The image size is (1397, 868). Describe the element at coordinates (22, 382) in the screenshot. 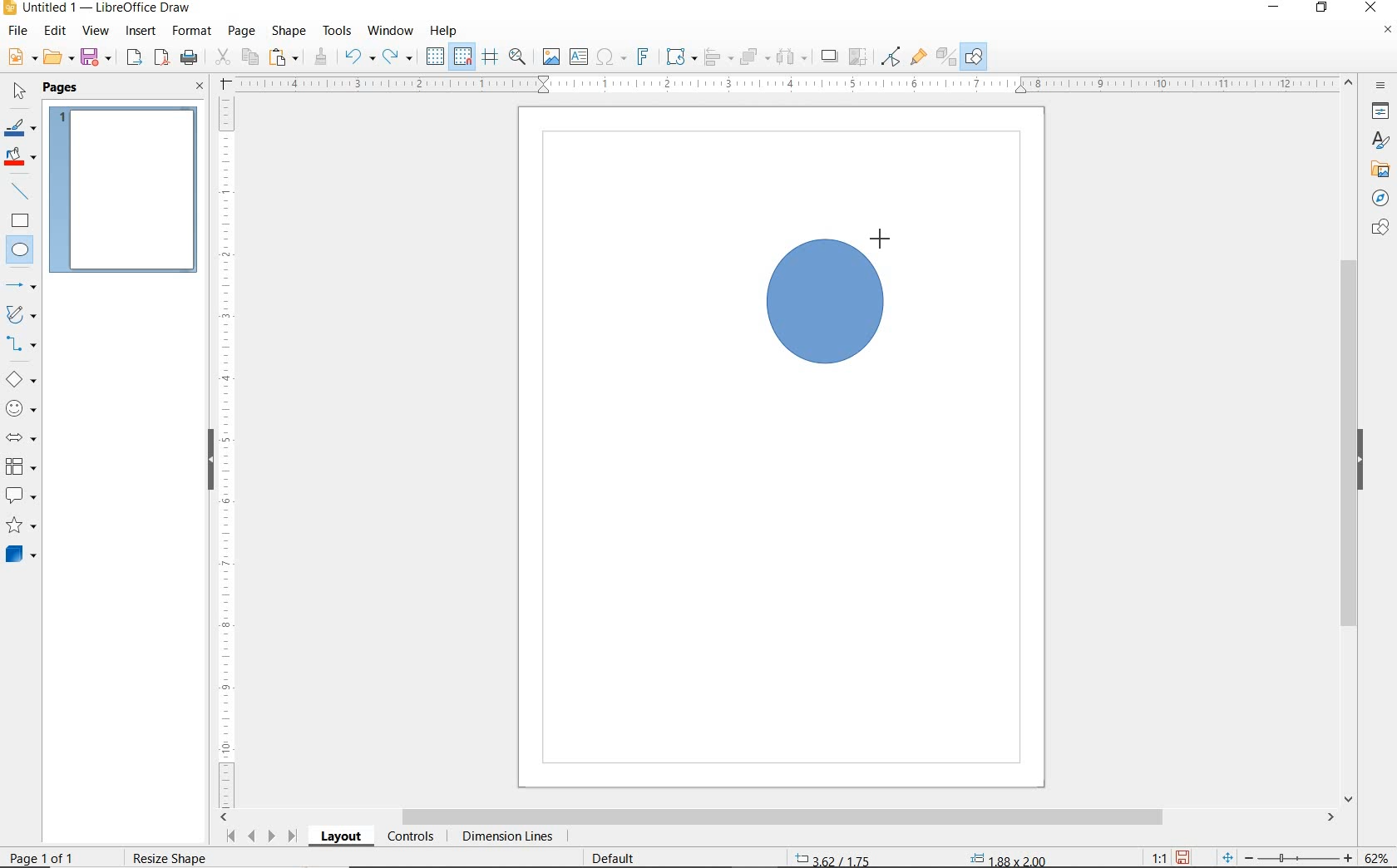

I see `BASIC SHAPES` at that location.